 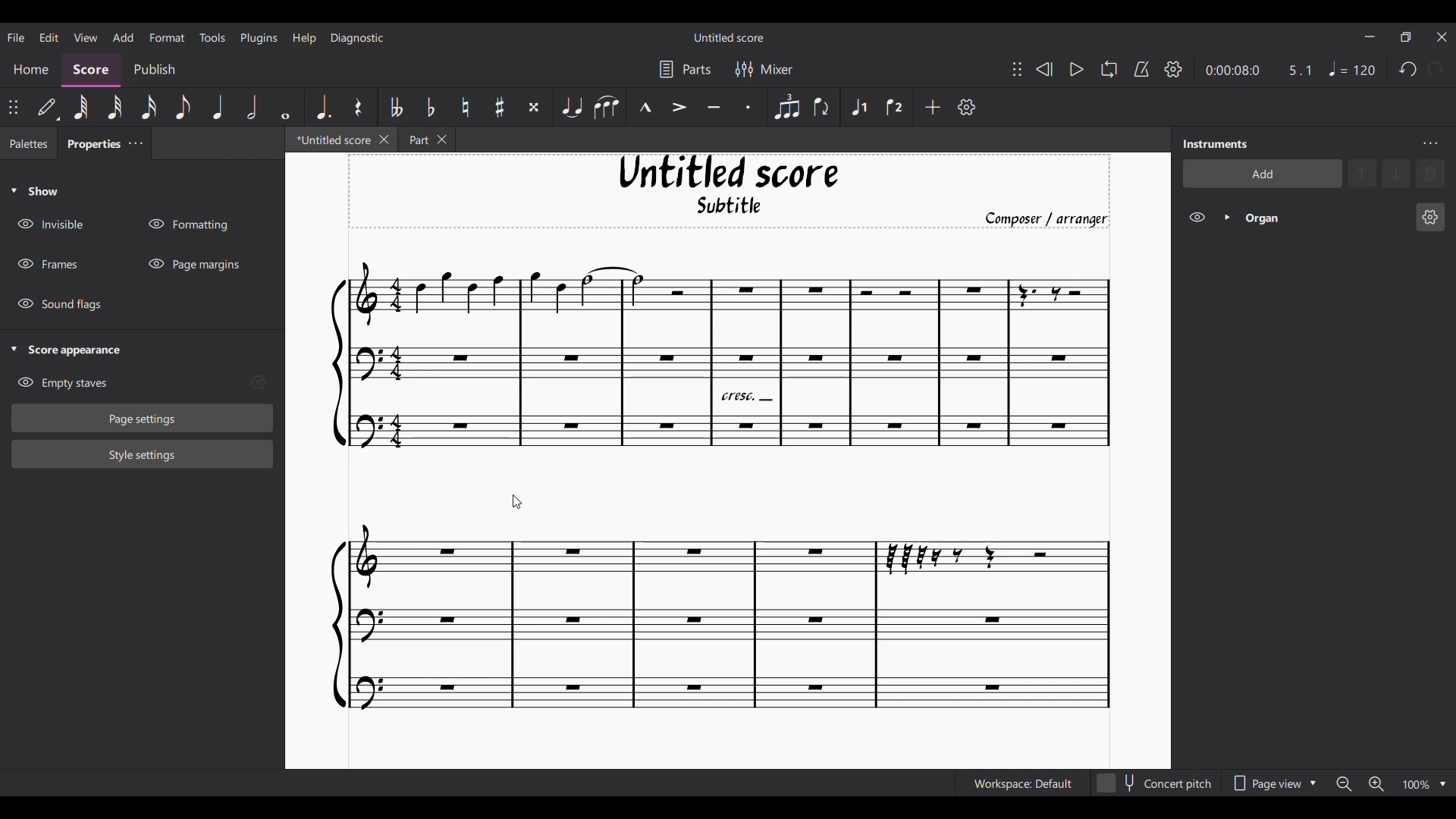 I want to click on Tuplet, so click(x=786, y=107).